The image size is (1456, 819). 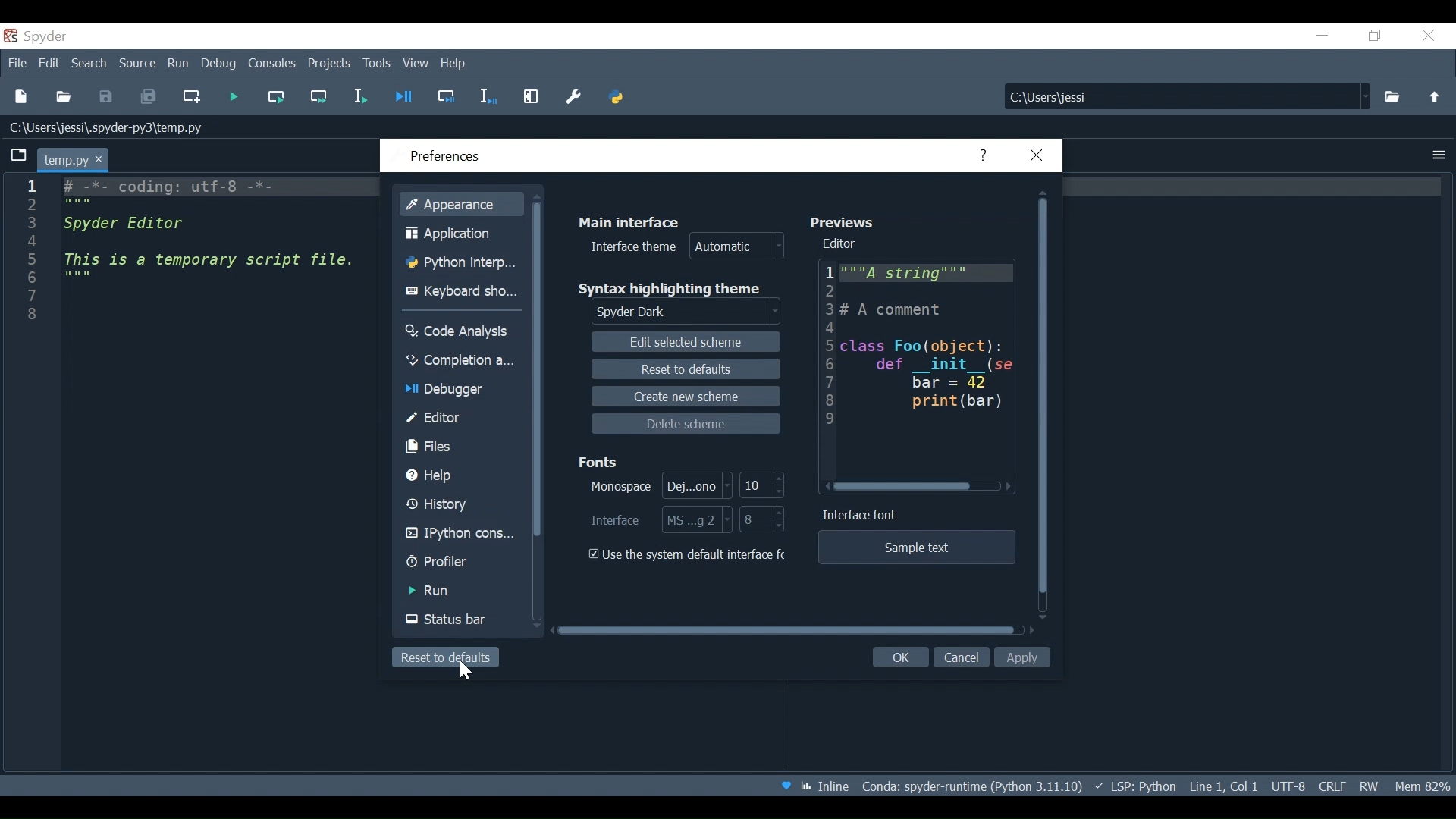 I want to click on Toggle between inline and interactive Matplotlib plotting, so click(x=826, y=788).